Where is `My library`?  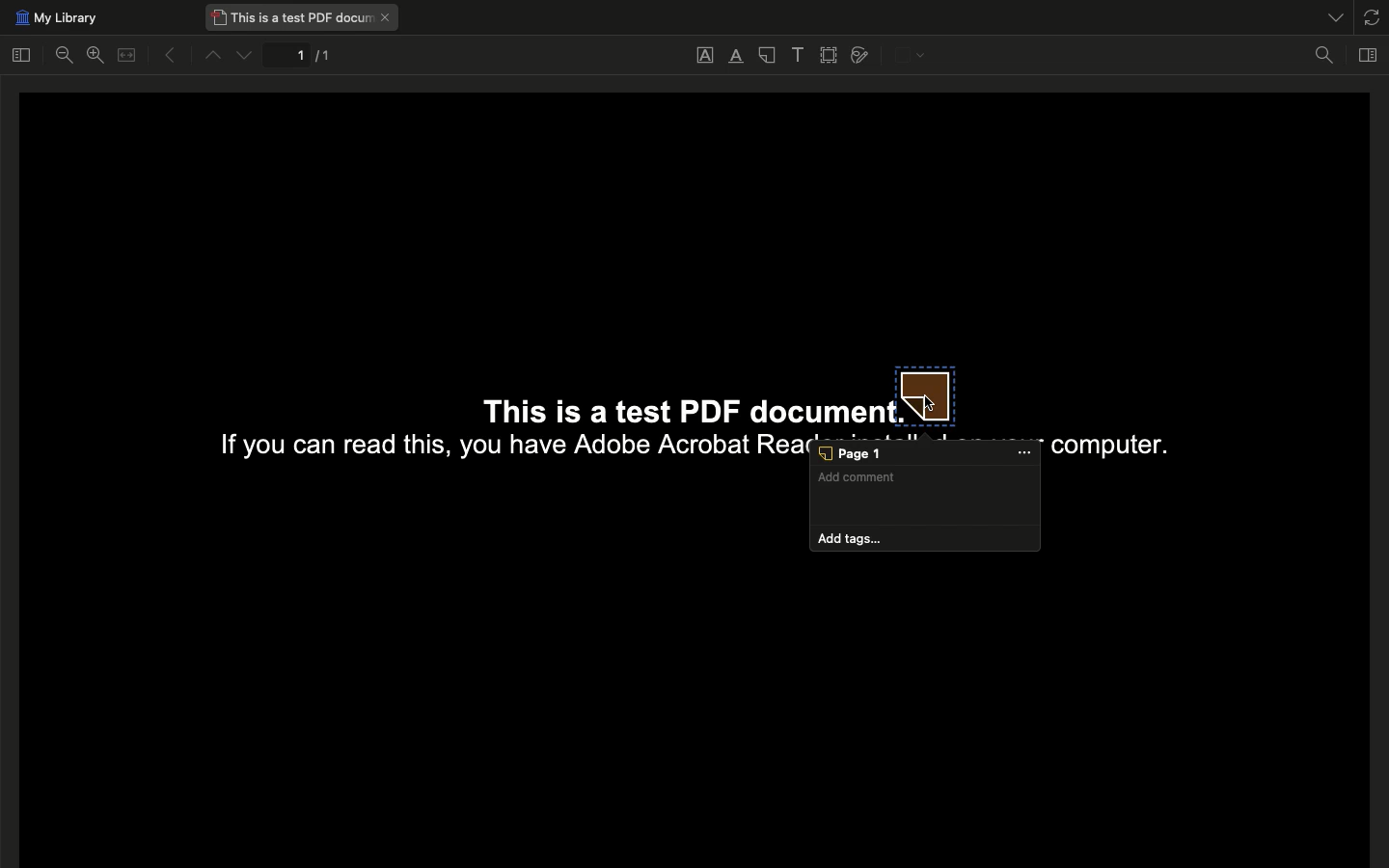 My library is located at coordinates (54, 18).